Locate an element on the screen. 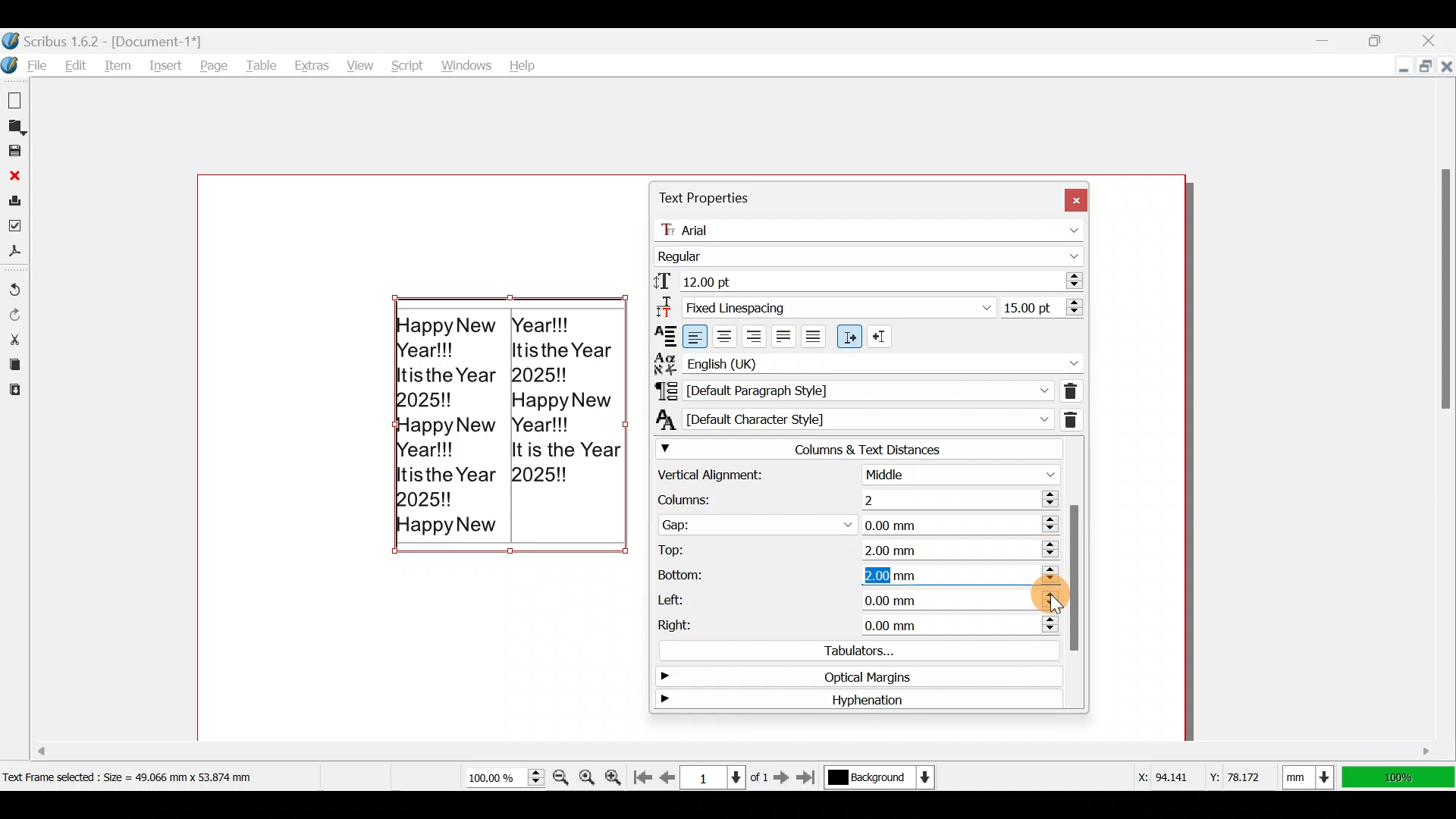 This screenshot has height=819, width=1456. Columns & text distances is located at coordinates (857, 449).